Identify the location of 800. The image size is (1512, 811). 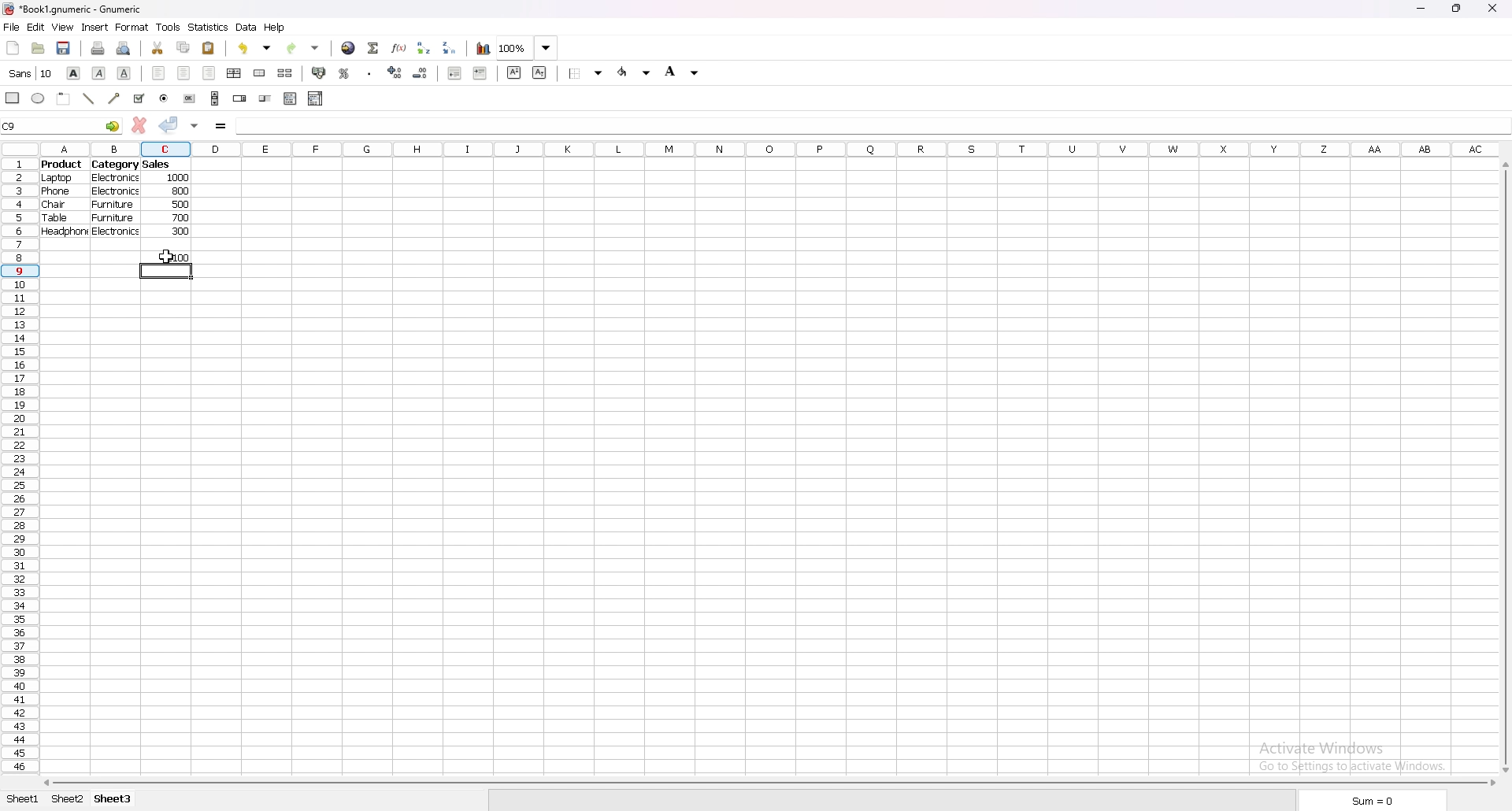
(182, 192).